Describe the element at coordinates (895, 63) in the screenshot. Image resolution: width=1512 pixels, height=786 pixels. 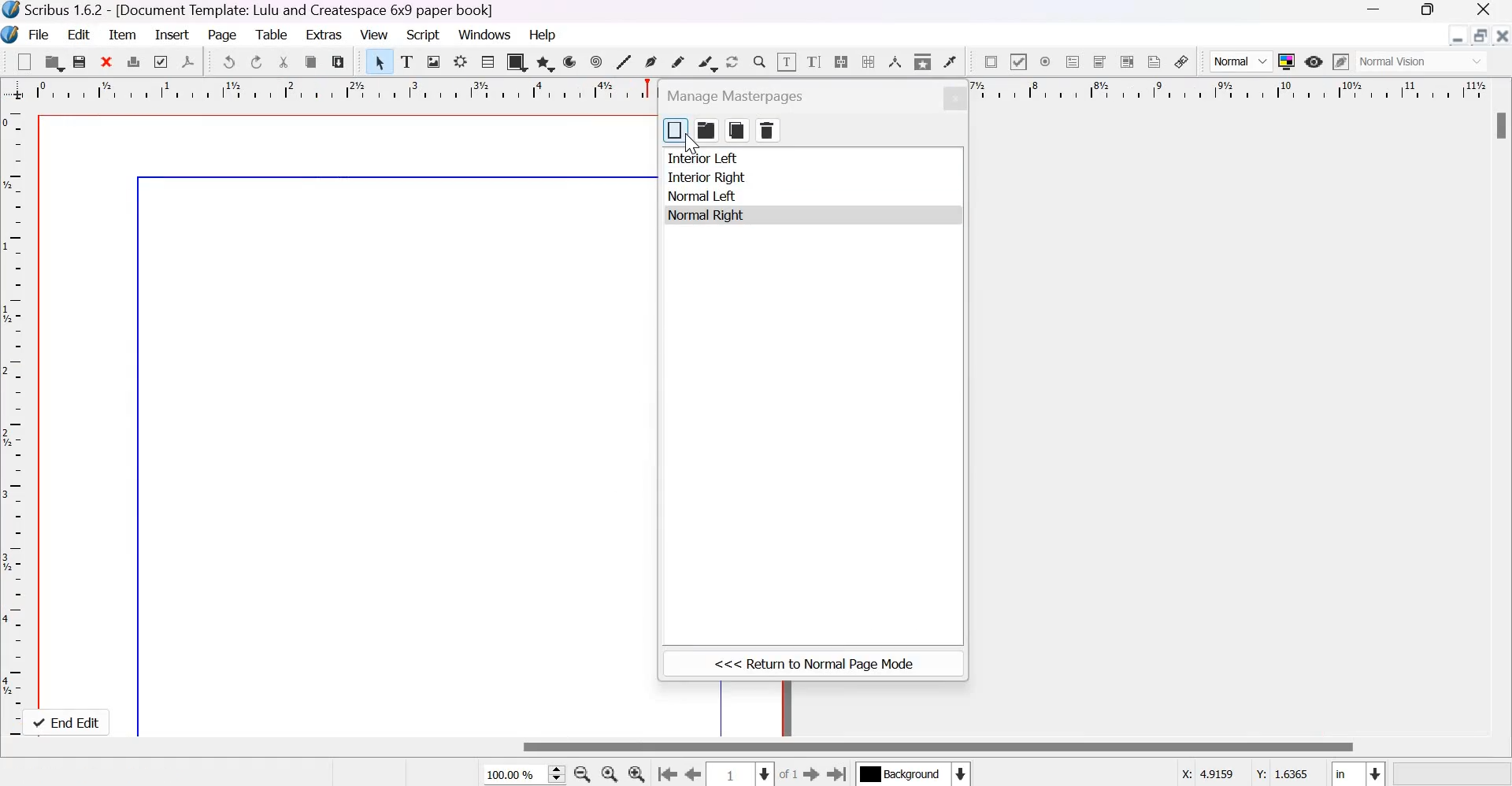
I see `Measurements` at that location.